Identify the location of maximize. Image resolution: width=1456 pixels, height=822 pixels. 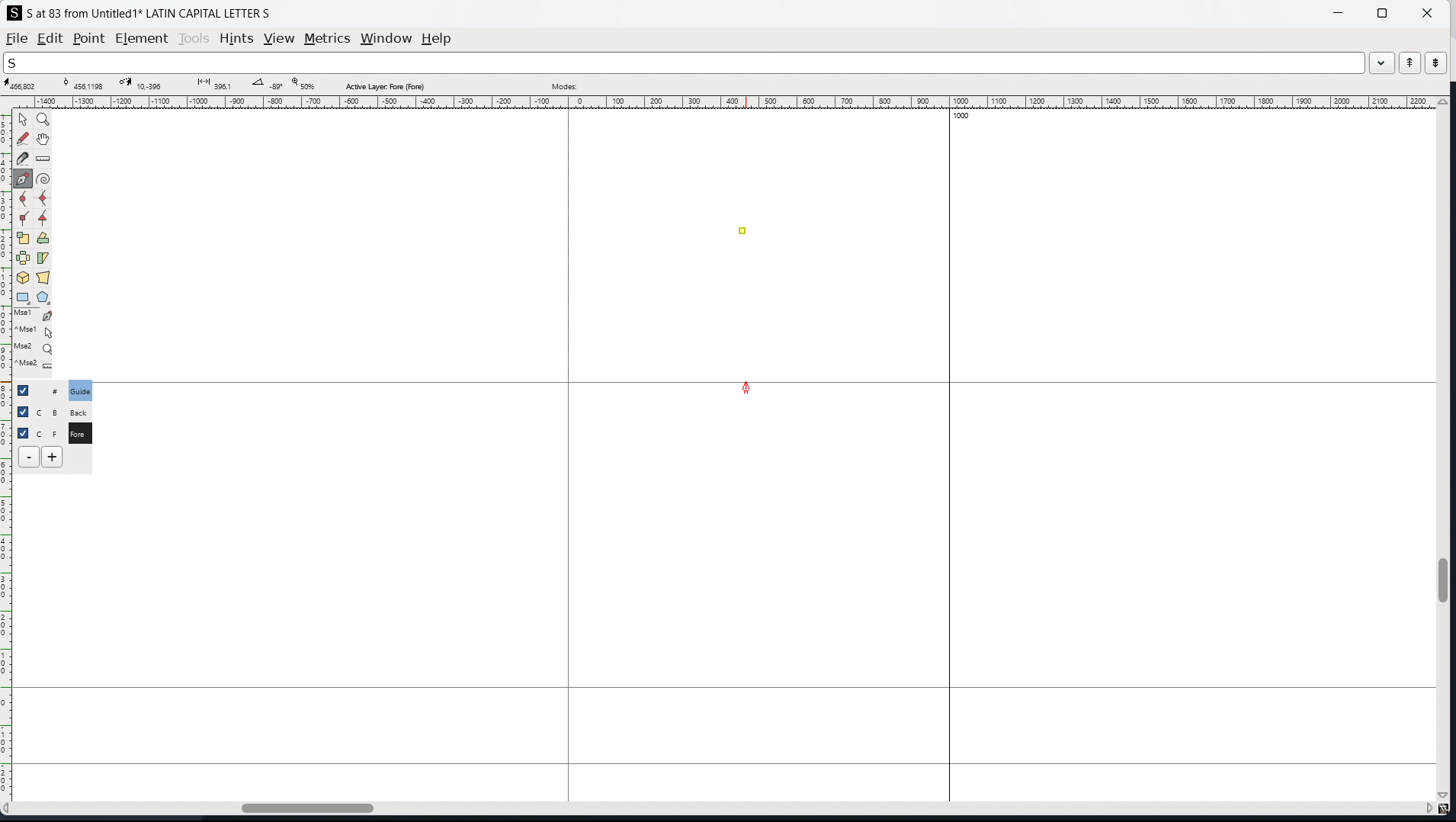
(1382, 12).